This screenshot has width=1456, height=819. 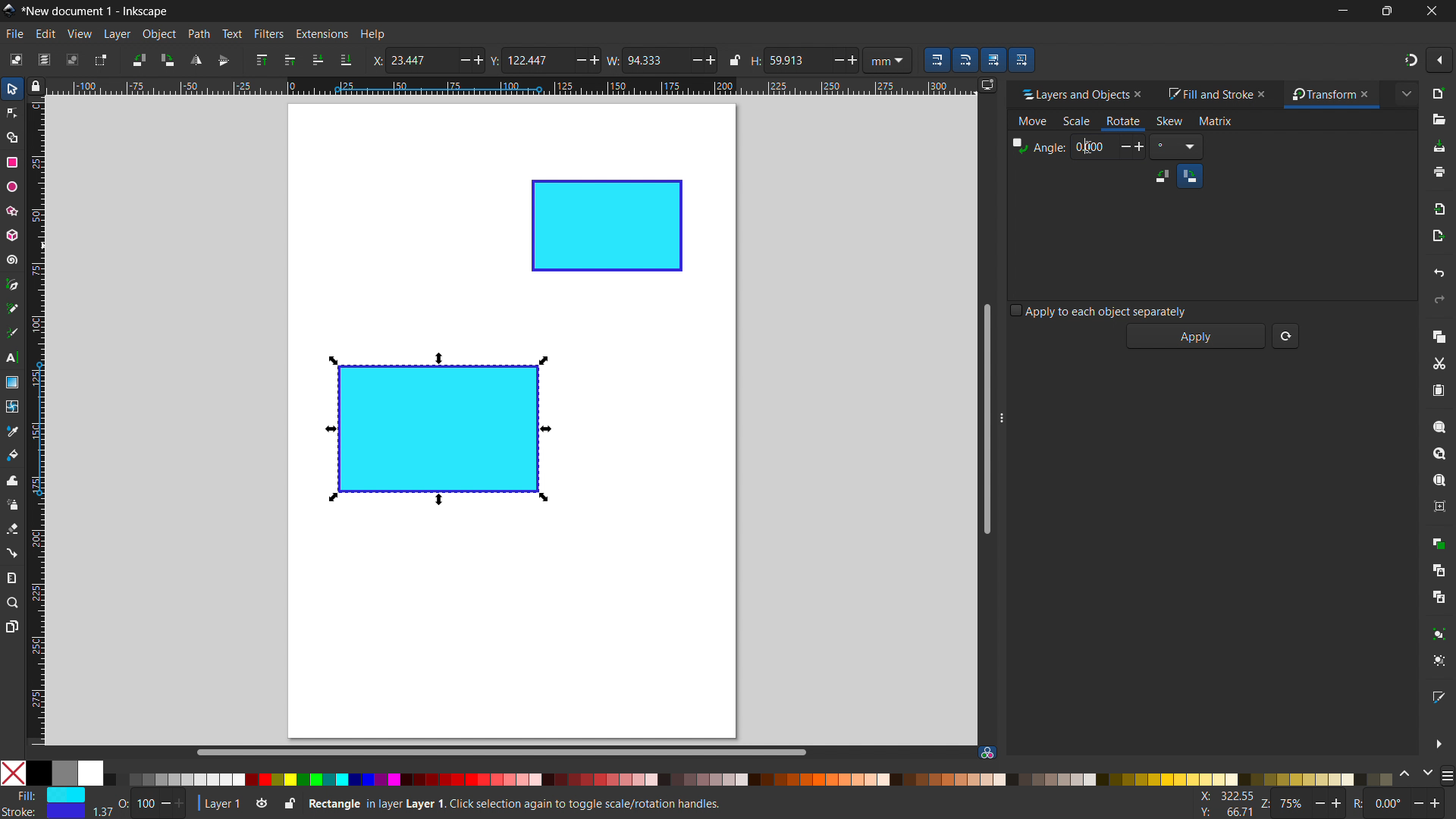 What do you see at coordinates (1038, 147) in the screenshot?
I see `Angle` at bounding box center [1038, 147].